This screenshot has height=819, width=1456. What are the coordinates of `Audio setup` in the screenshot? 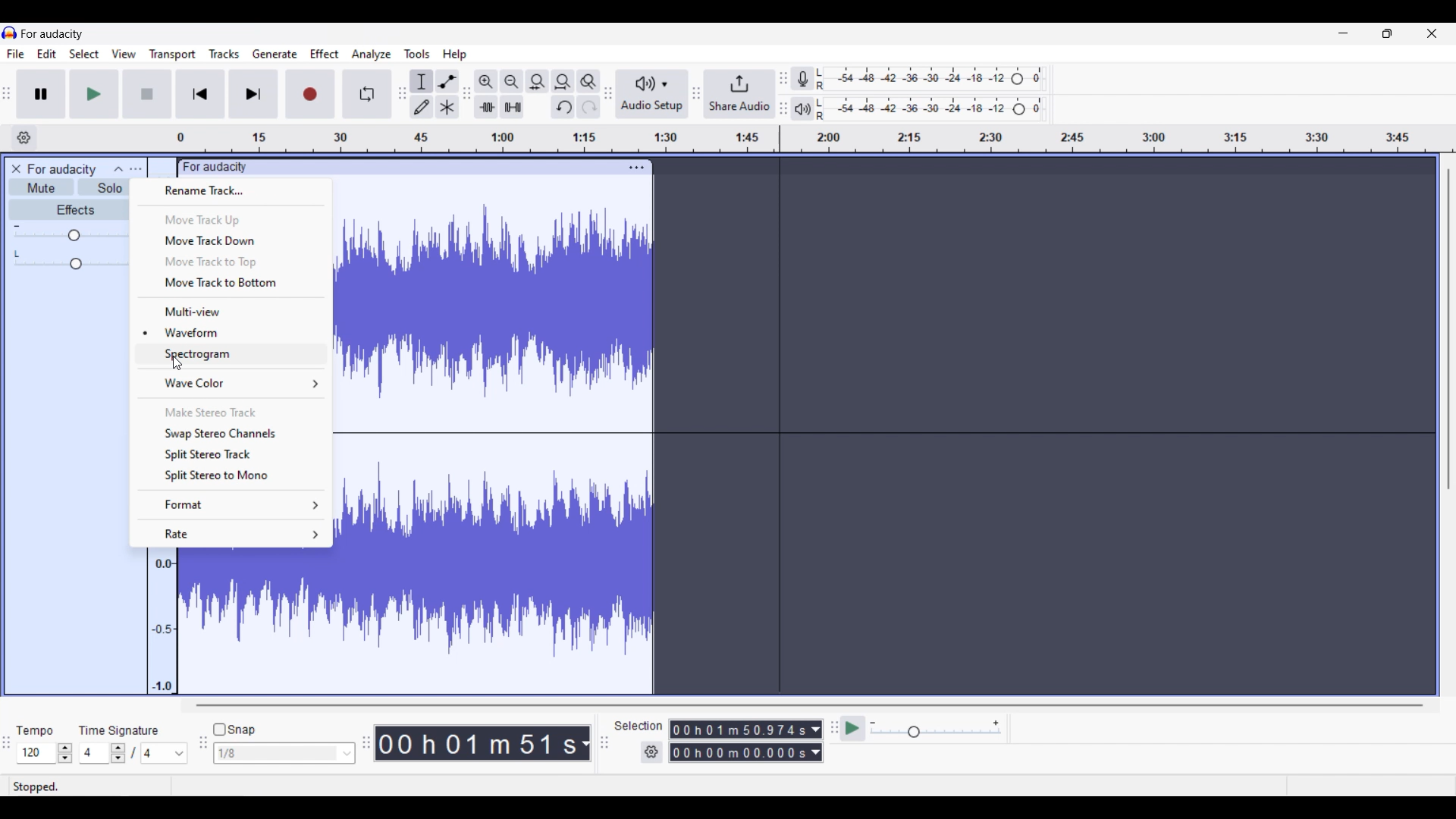 It's located at (653, 94).